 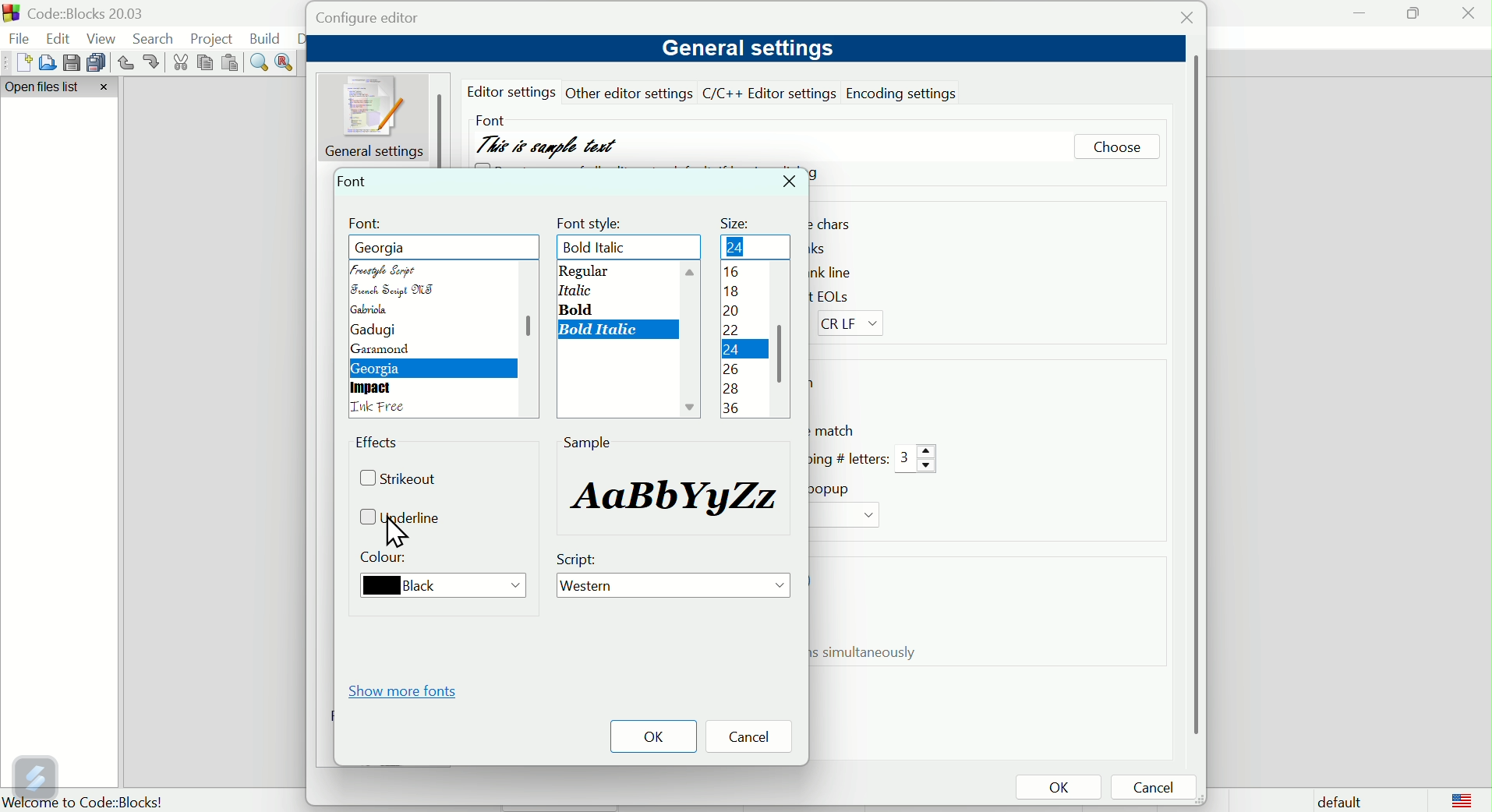 What do you see at coordinates (730, 274) in the screenshot?
I see `16` at bounding box center [730, 274].